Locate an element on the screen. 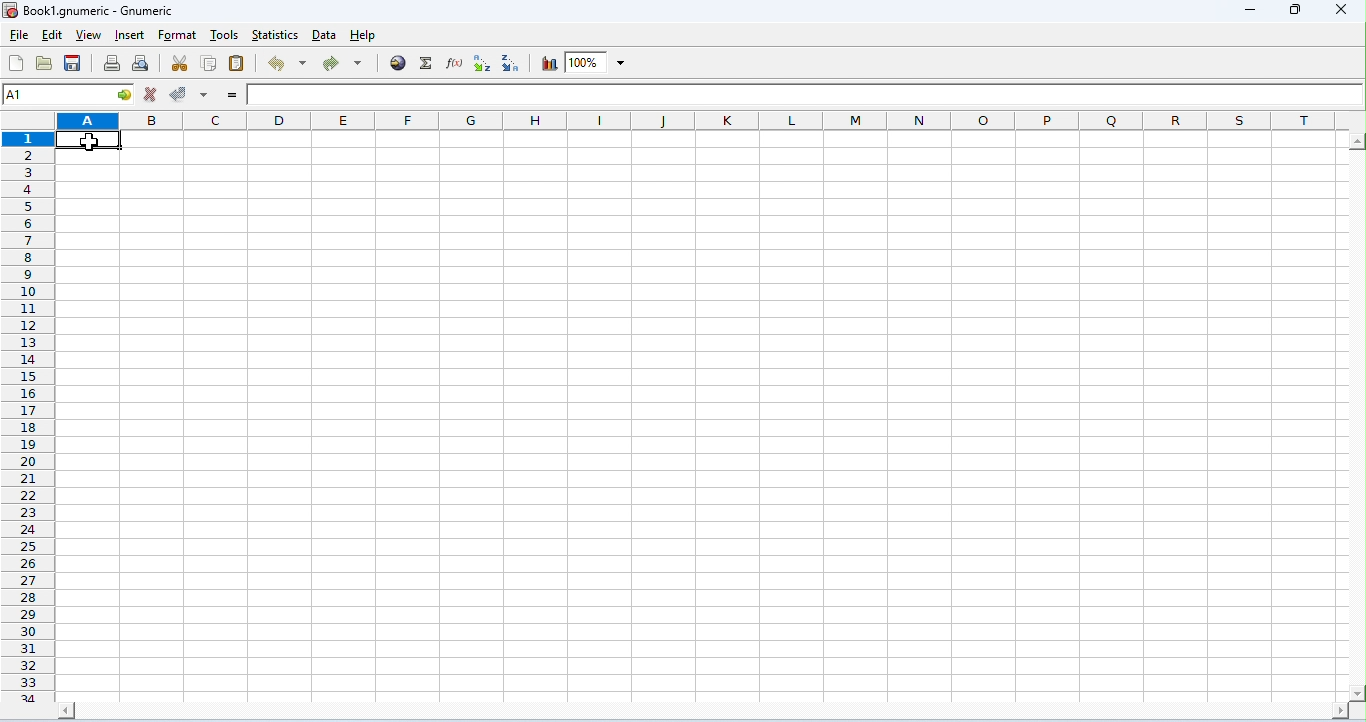  sort ascending is located at coordinates (481, 63).